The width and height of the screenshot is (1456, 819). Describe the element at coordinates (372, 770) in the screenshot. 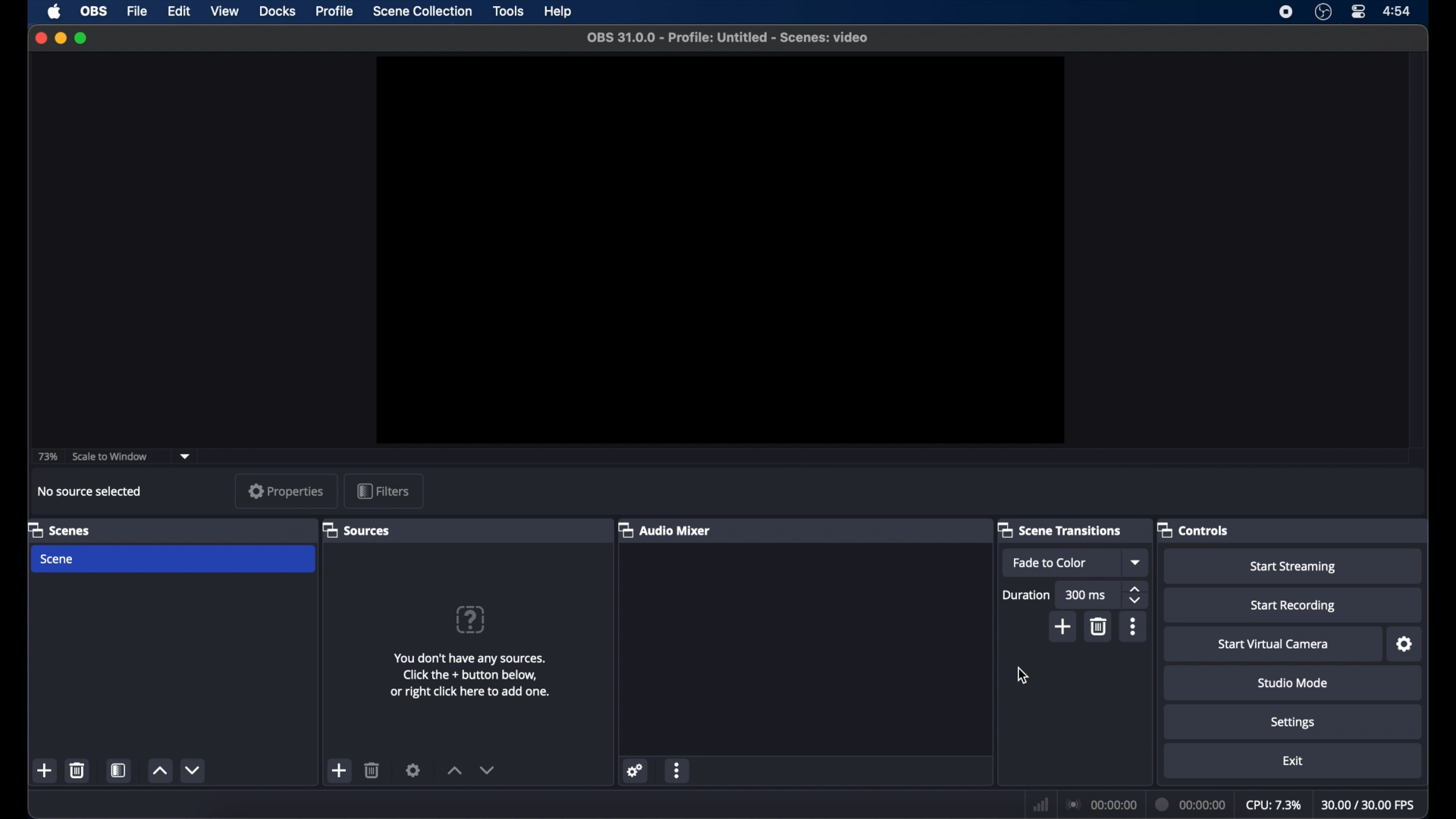

I see `delete` at that location.